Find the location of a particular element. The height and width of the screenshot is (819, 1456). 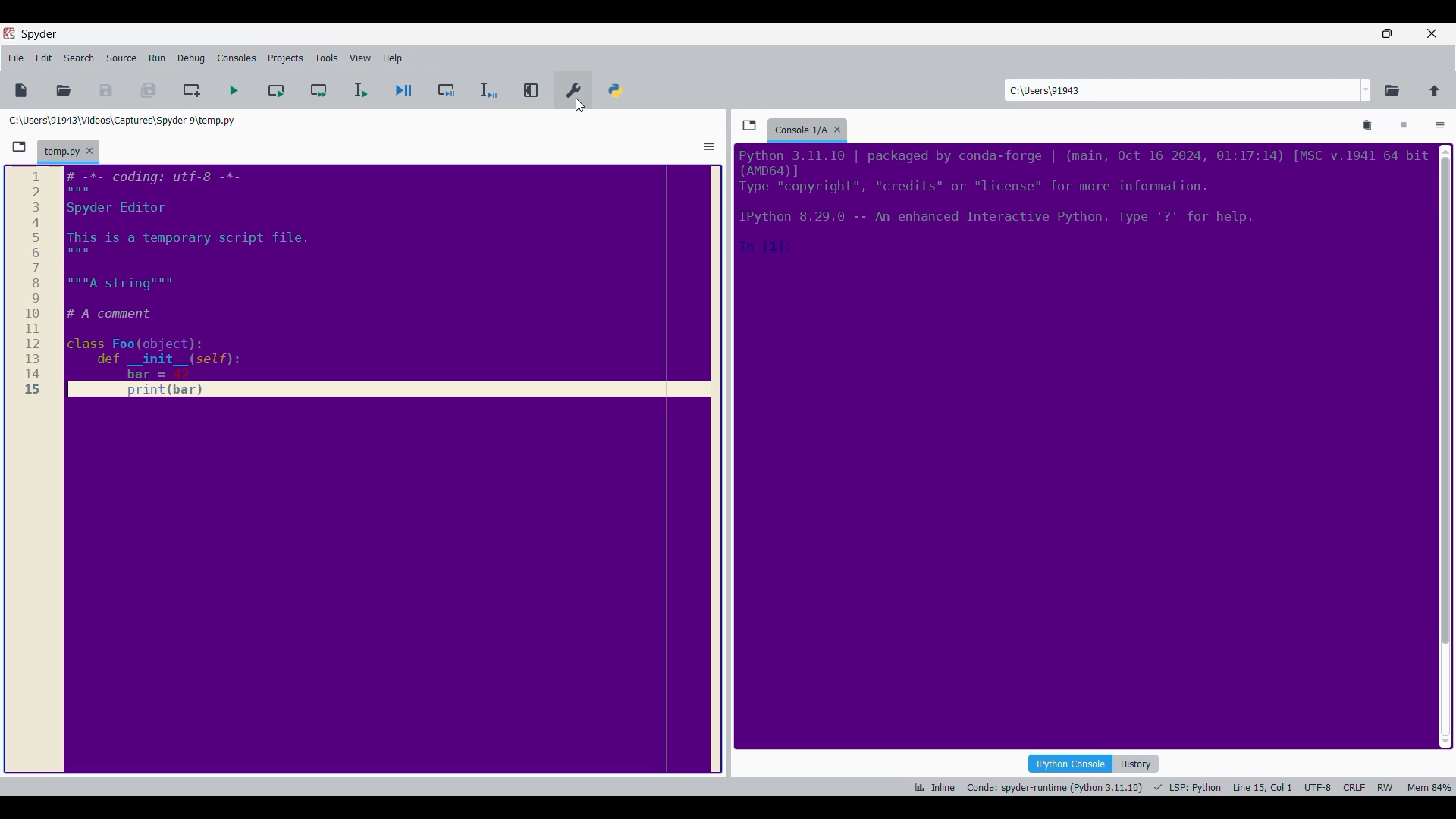

PYTHONPATH manager is located at coordinates (617, 90).